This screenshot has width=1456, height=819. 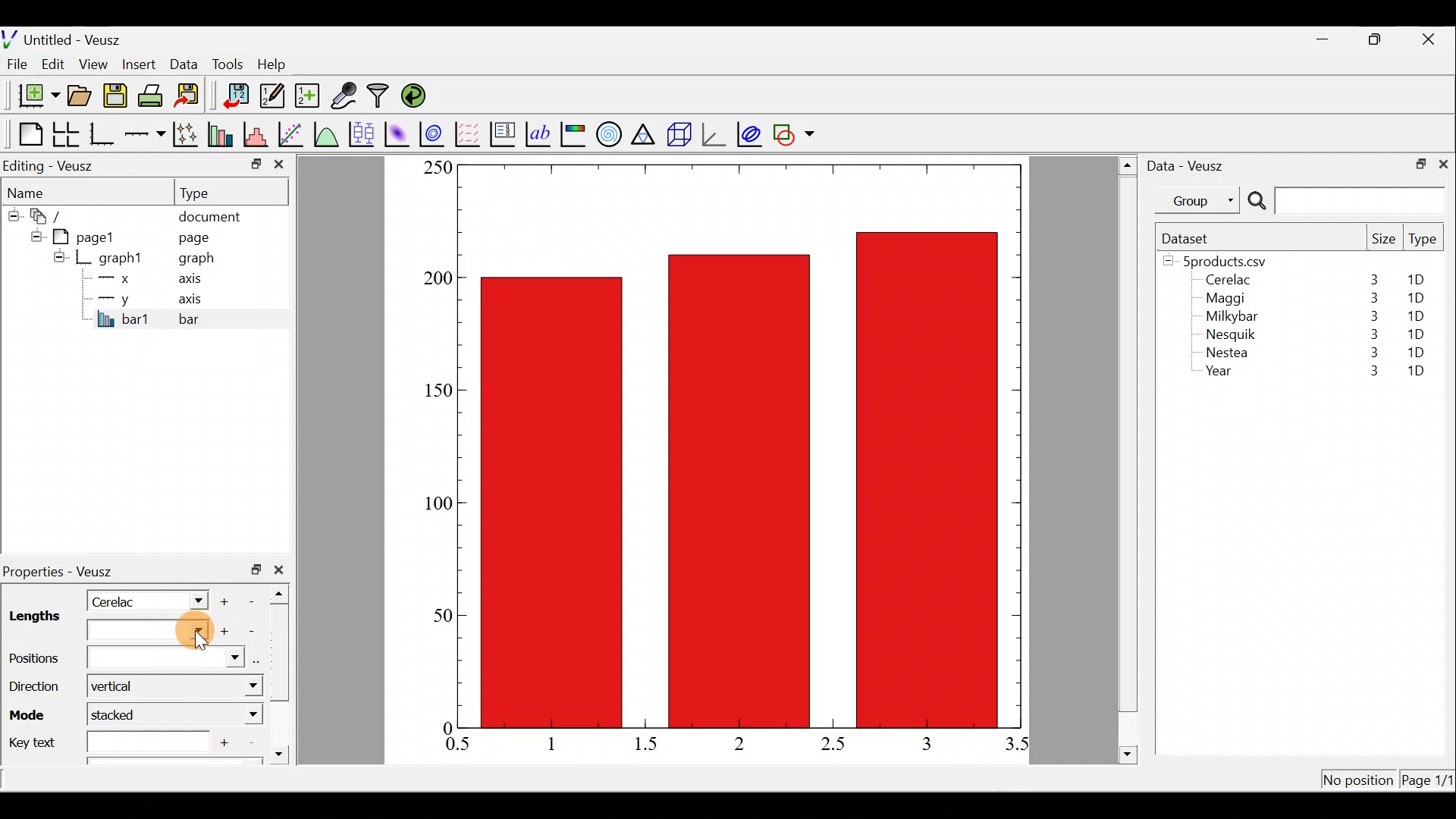 I want to click on Image color bar, so click(x=574, y=133).